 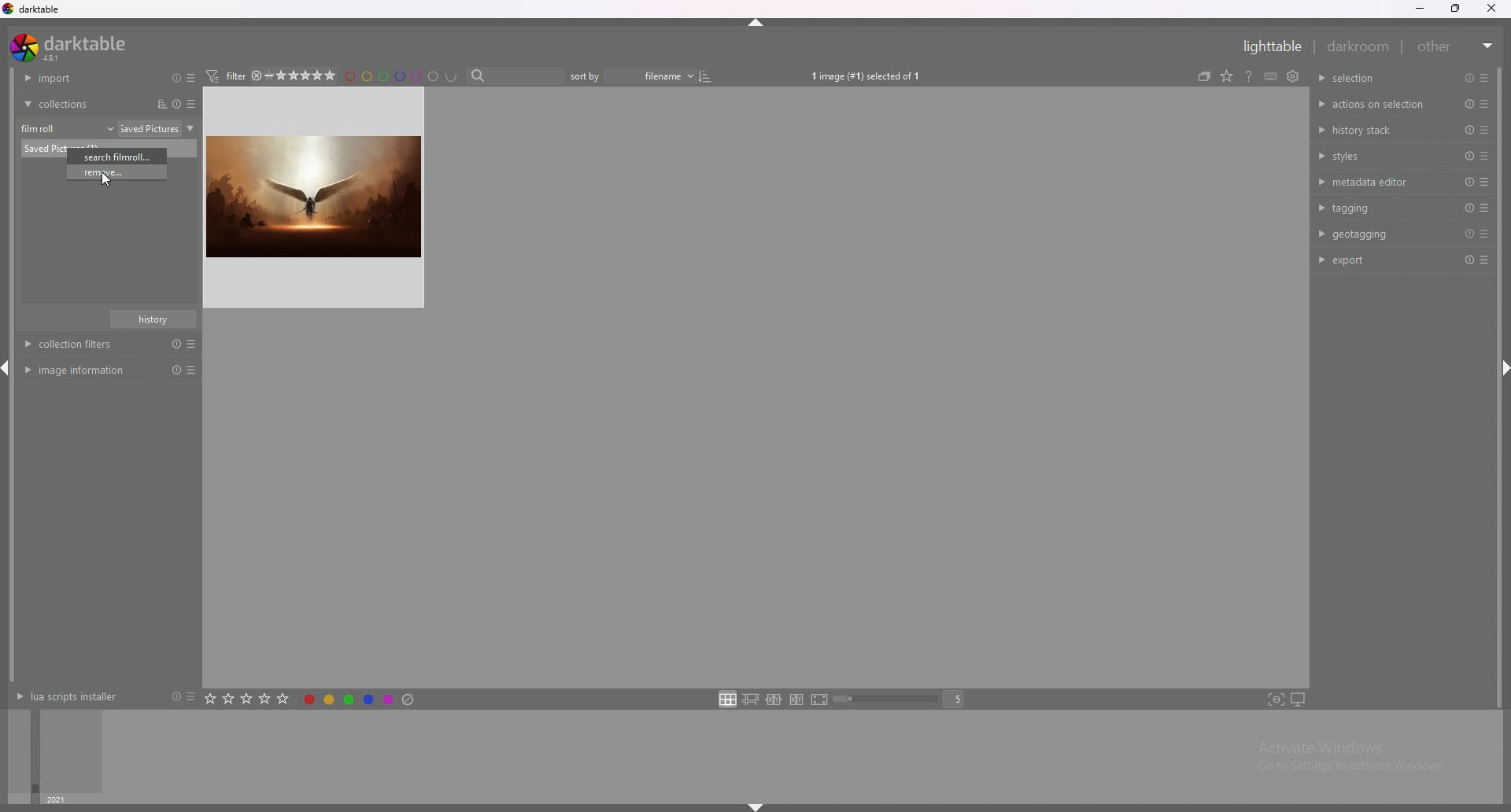 I want to click on resize, so click(x=1458, y=9).